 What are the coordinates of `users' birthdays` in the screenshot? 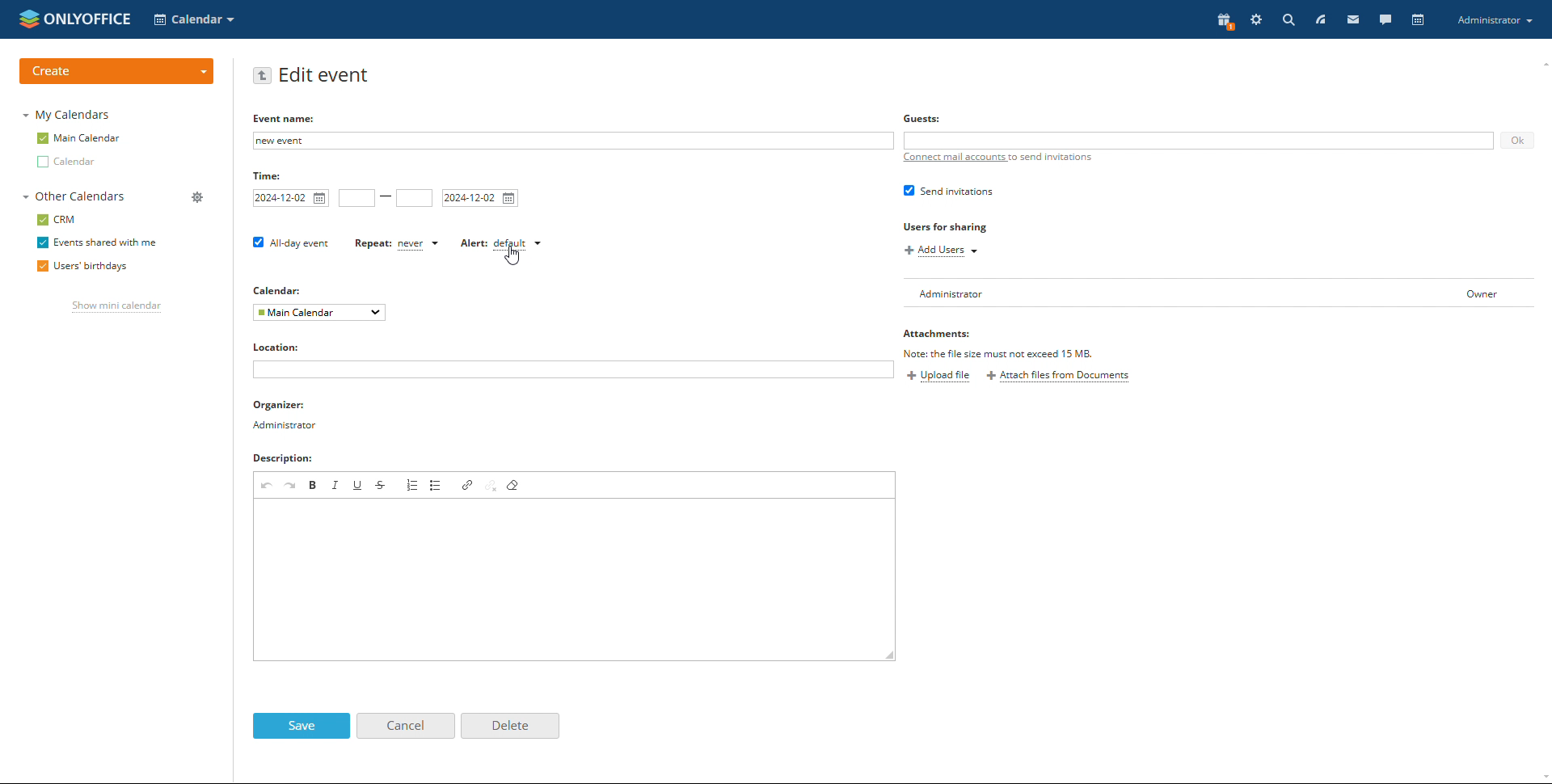 It's located at (82, 266).